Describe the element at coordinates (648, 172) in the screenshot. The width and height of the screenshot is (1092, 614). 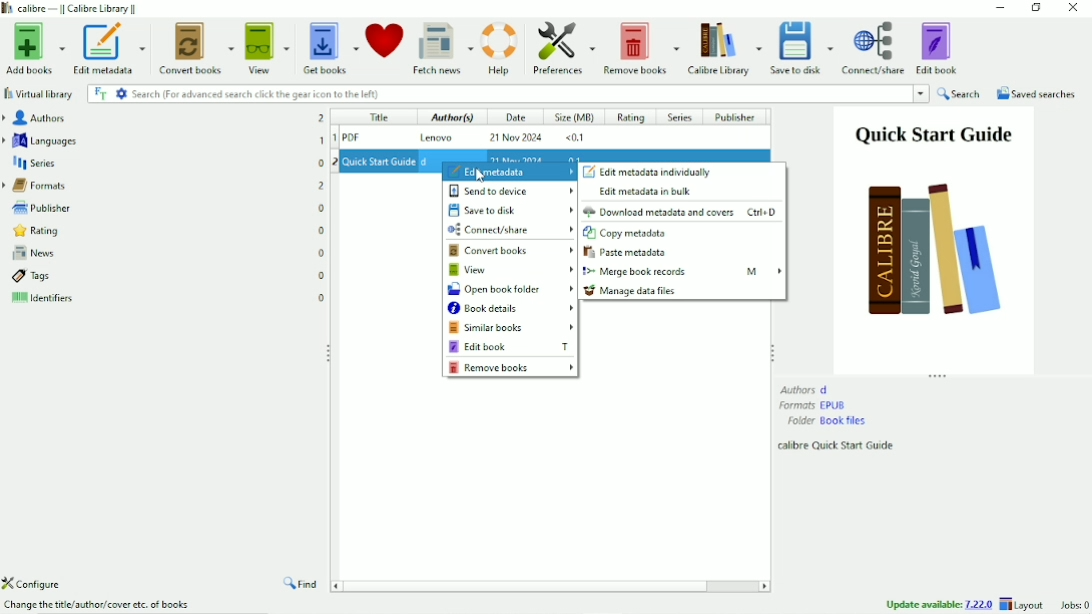
I see `Edit metadata individually` at that location.